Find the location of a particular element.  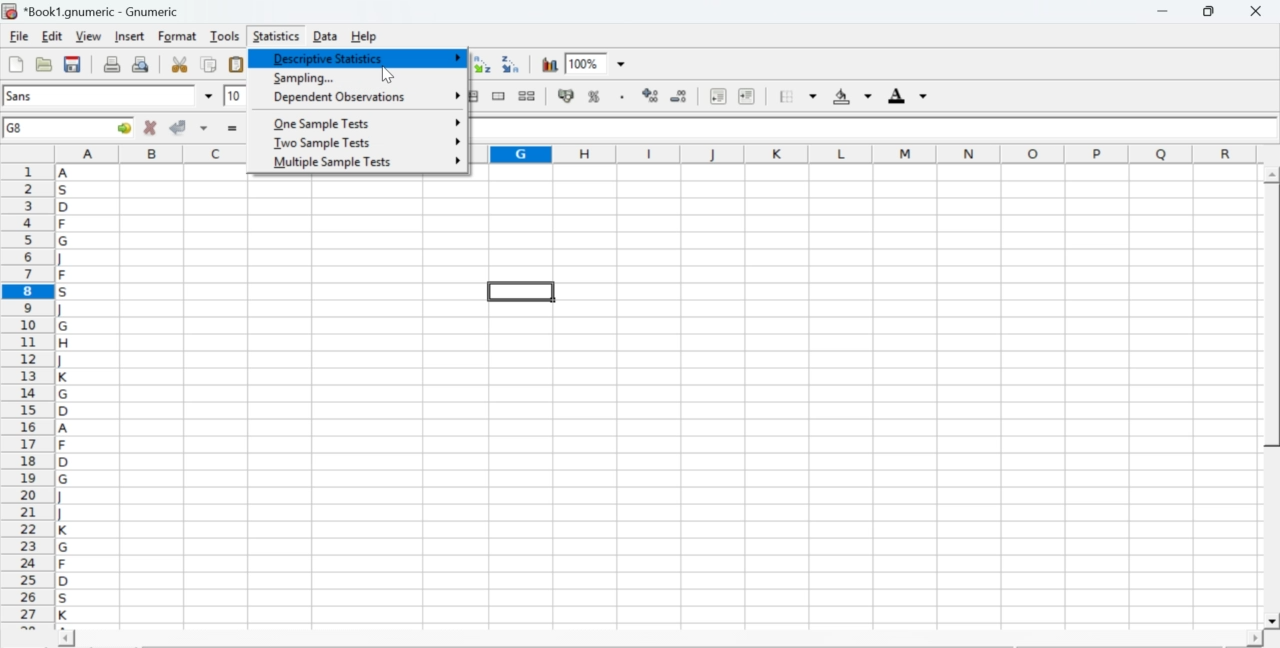

drop down is located at coordinates (262, 95).